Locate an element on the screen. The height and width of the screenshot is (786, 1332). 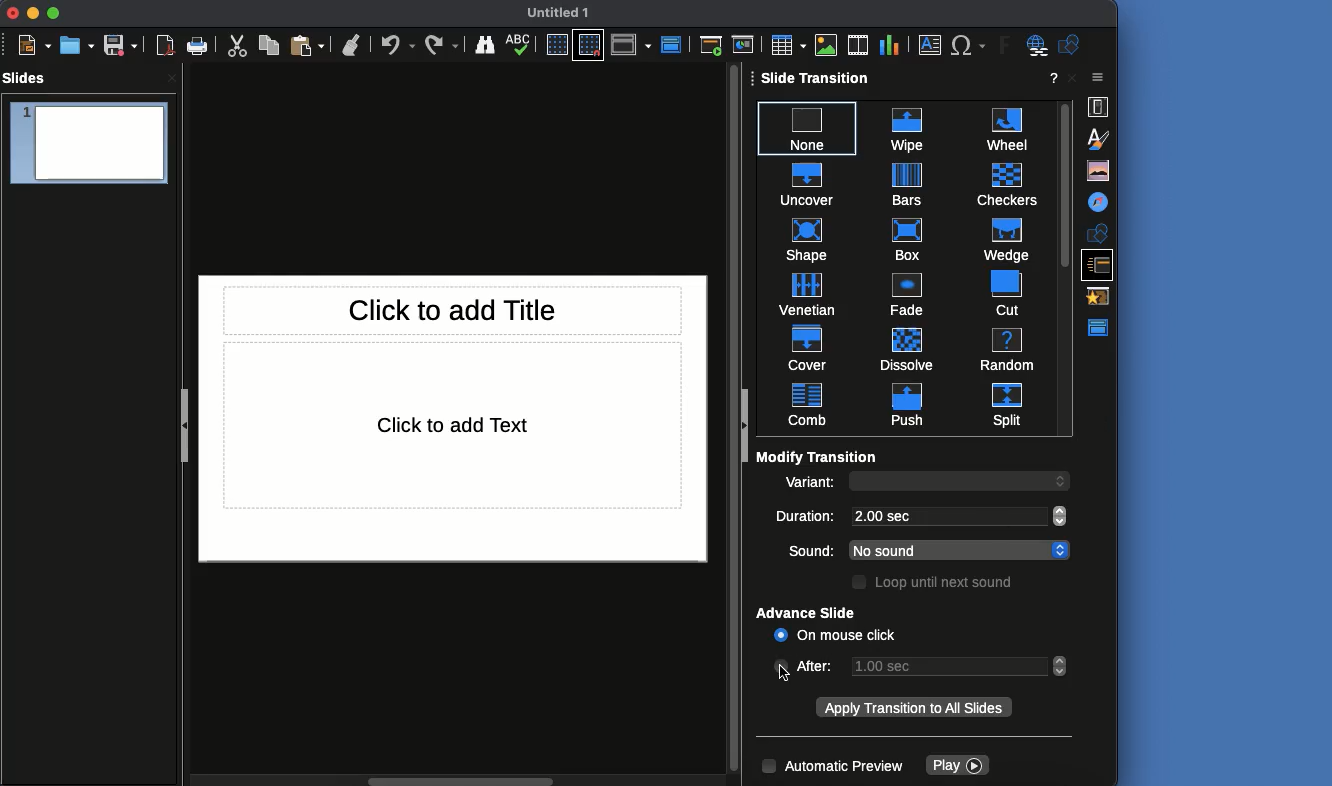
Undo is located at coordinates (398, 44).